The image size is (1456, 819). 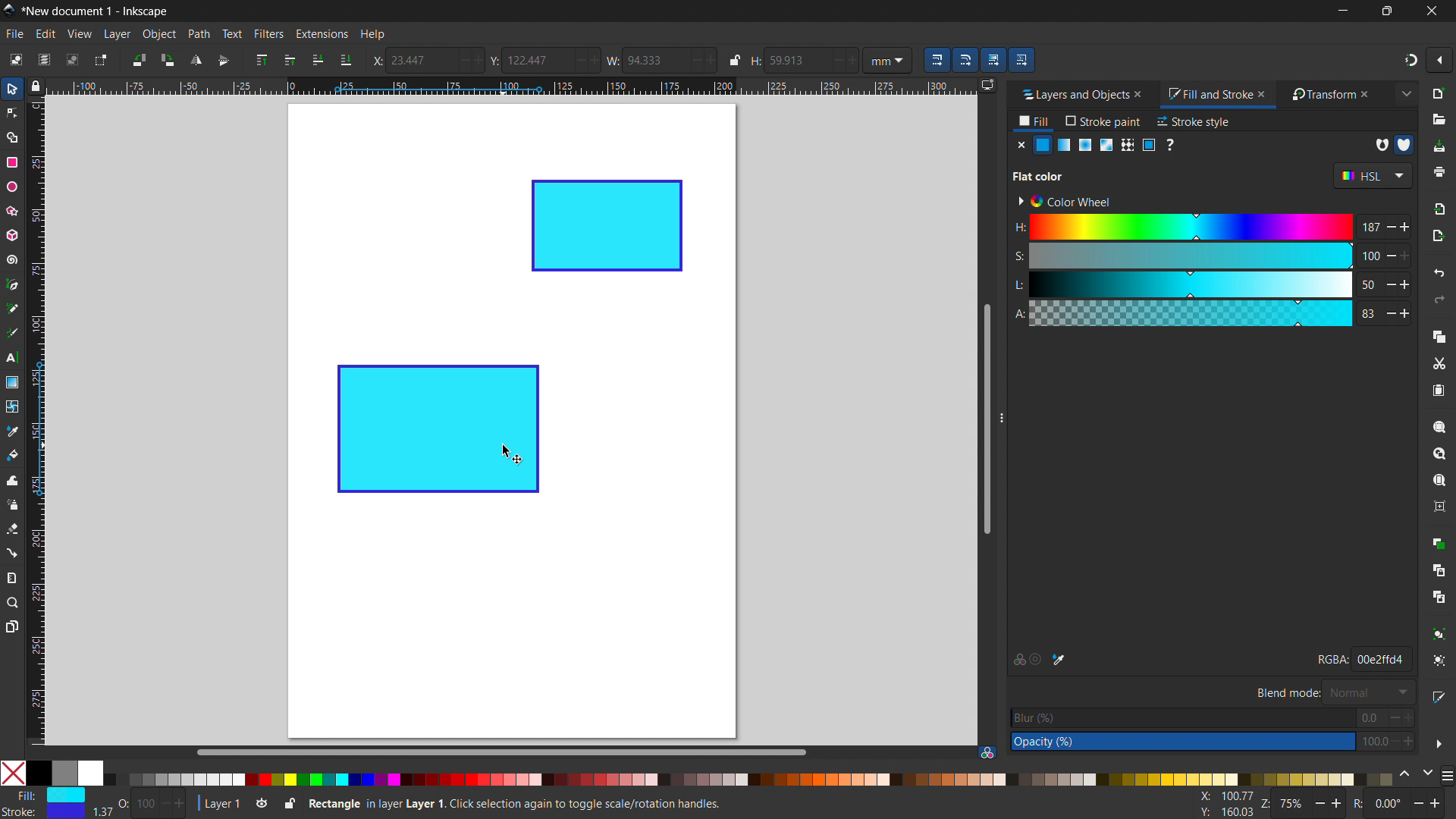 What do you see at coordinates (518, 802) in the screenshot?
I see `Rectangle in Layer 1. Click selection again to toggle scale/ rotation handles` at bounding box center [518, 802].